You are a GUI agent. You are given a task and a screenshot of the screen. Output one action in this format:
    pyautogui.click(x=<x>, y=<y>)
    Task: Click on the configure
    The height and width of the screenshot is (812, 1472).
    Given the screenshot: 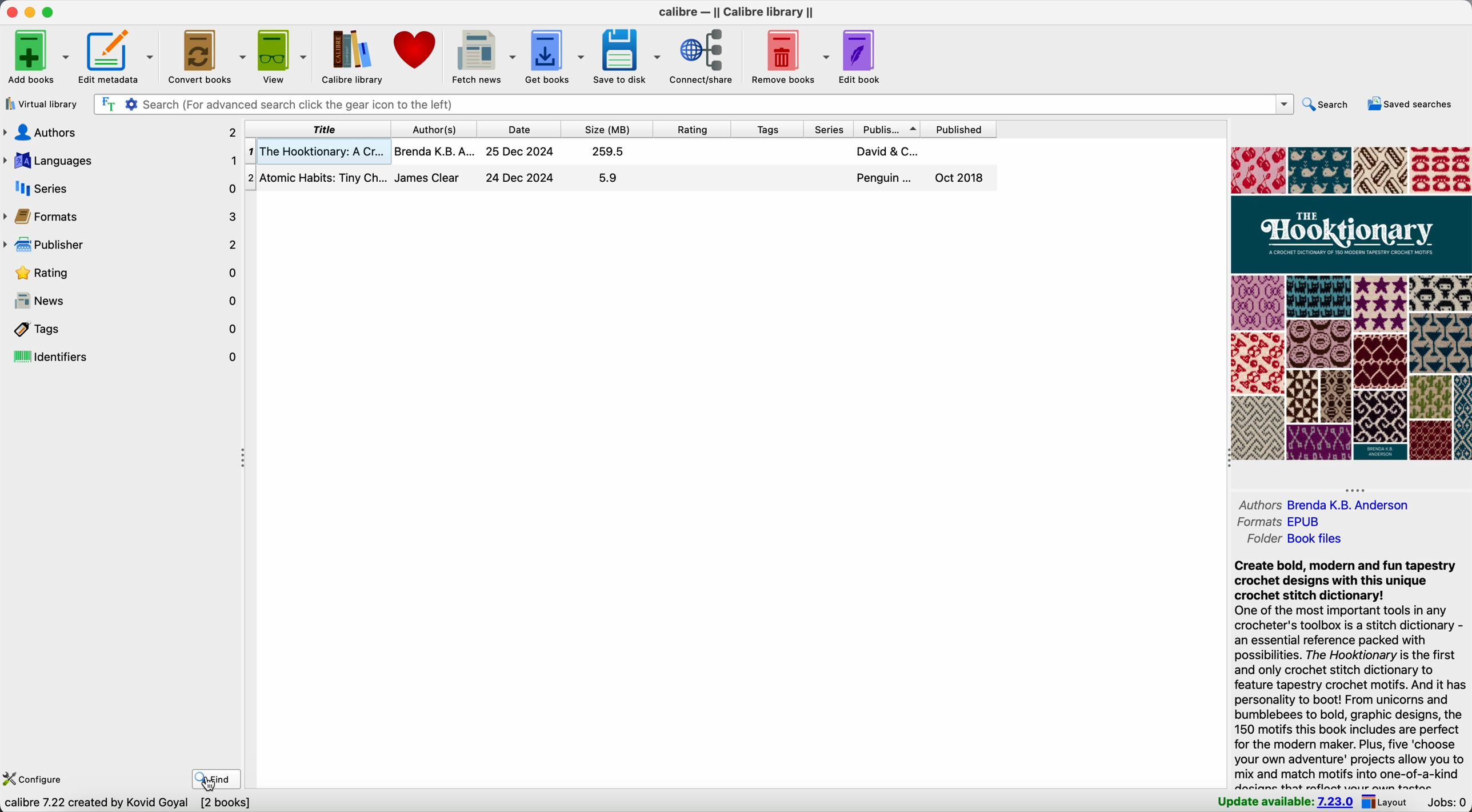 What is the action you would take?
    pyautogui.click(x=37, y=779)
    